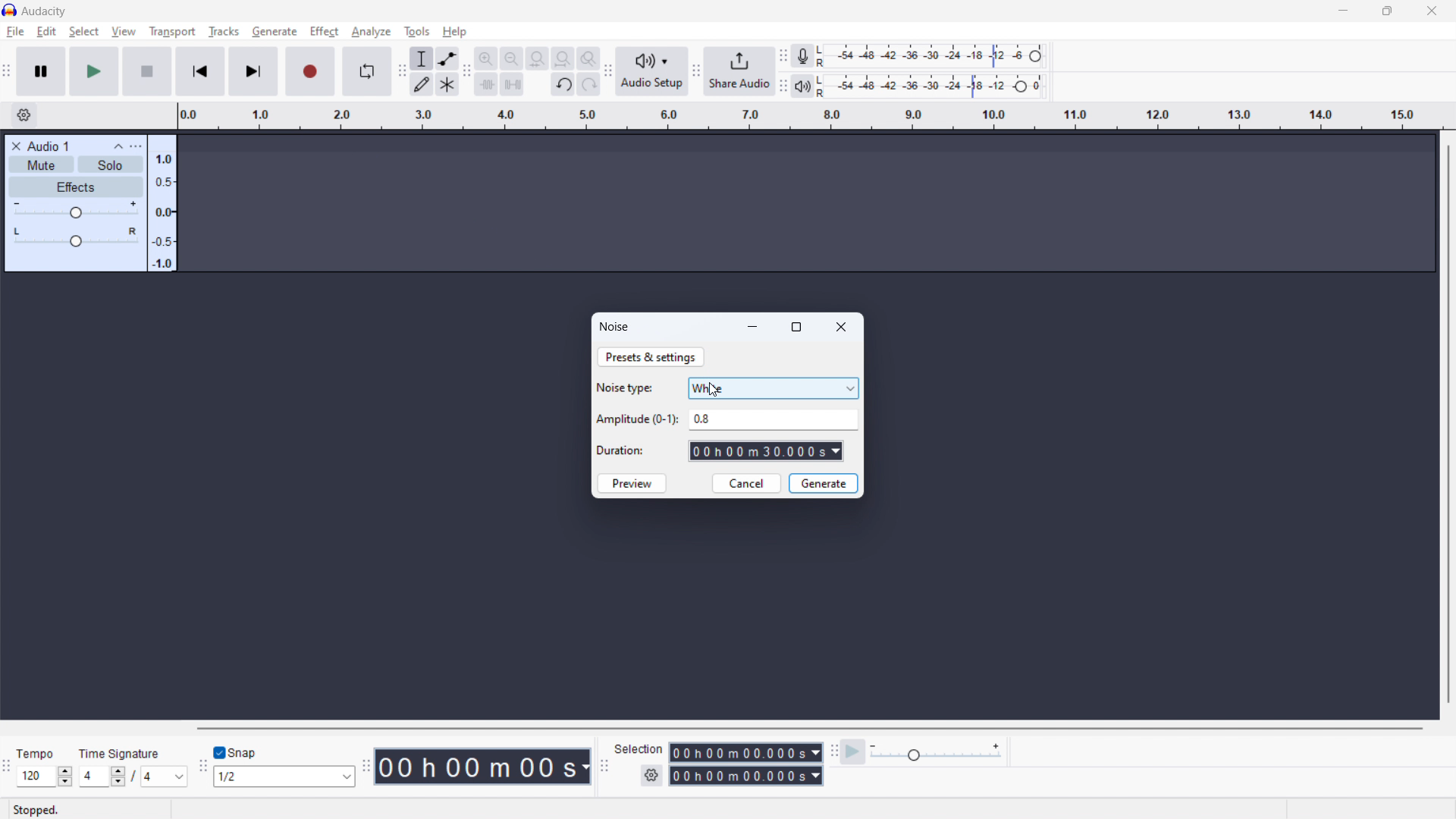  Describe the element at coordinates (109, 165) in the screenshot. I see `solo` at that location.